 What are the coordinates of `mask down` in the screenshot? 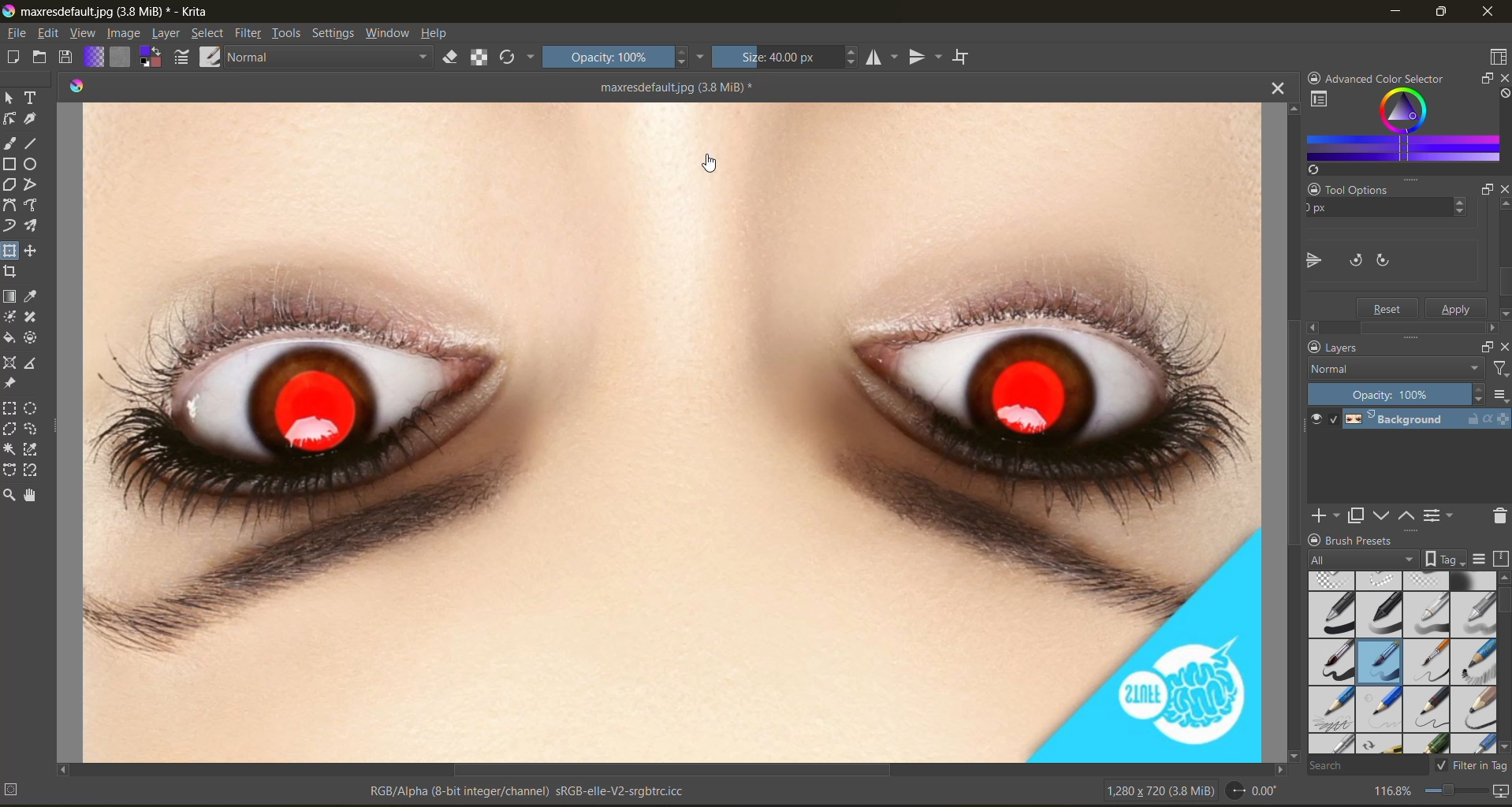 It's located at (1384, 515).